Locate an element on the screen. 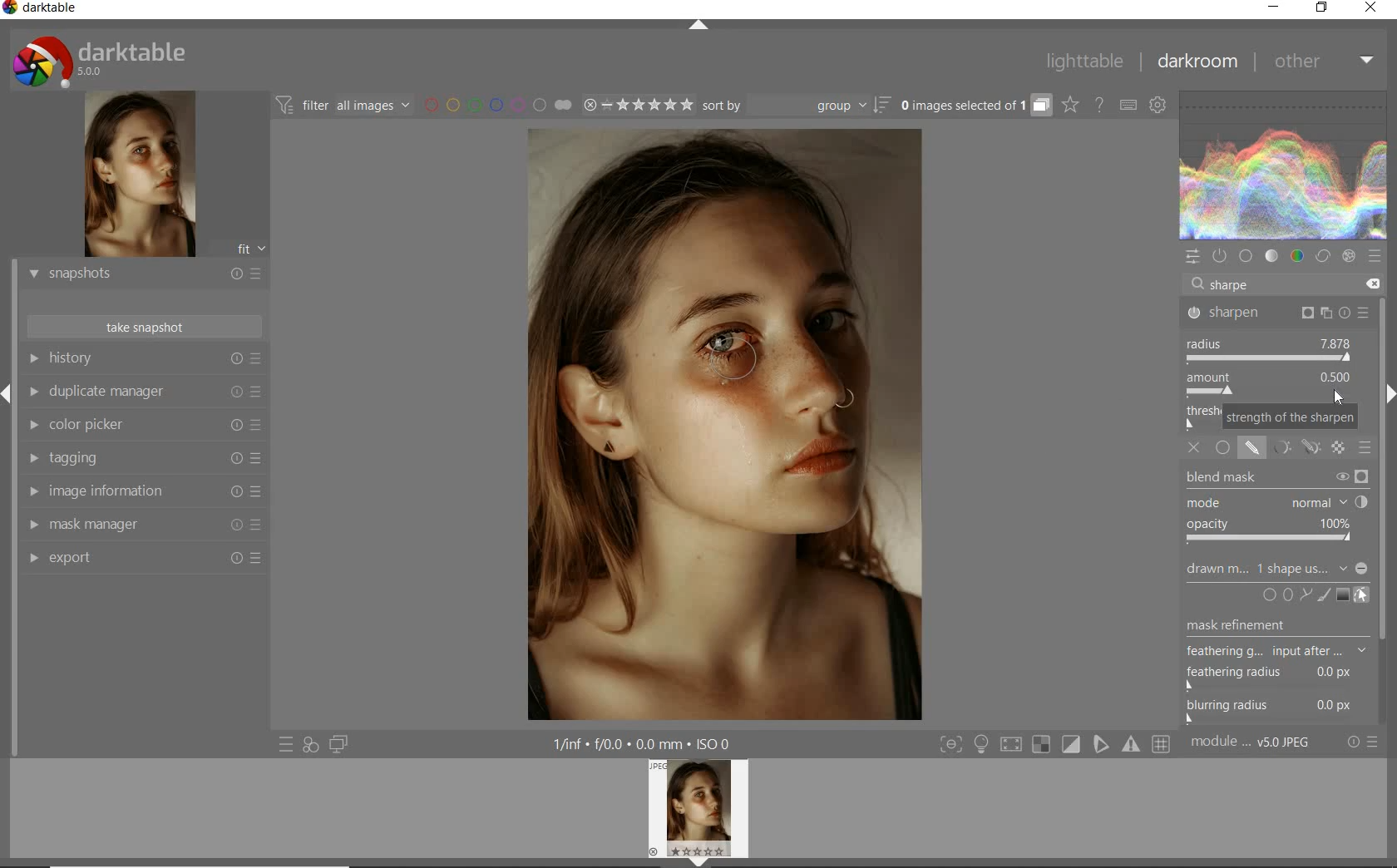 Image resolution: width=1397 pixels, height=868 pixels. FEATHERING RADIUS is located at coordinates (1281, 673).